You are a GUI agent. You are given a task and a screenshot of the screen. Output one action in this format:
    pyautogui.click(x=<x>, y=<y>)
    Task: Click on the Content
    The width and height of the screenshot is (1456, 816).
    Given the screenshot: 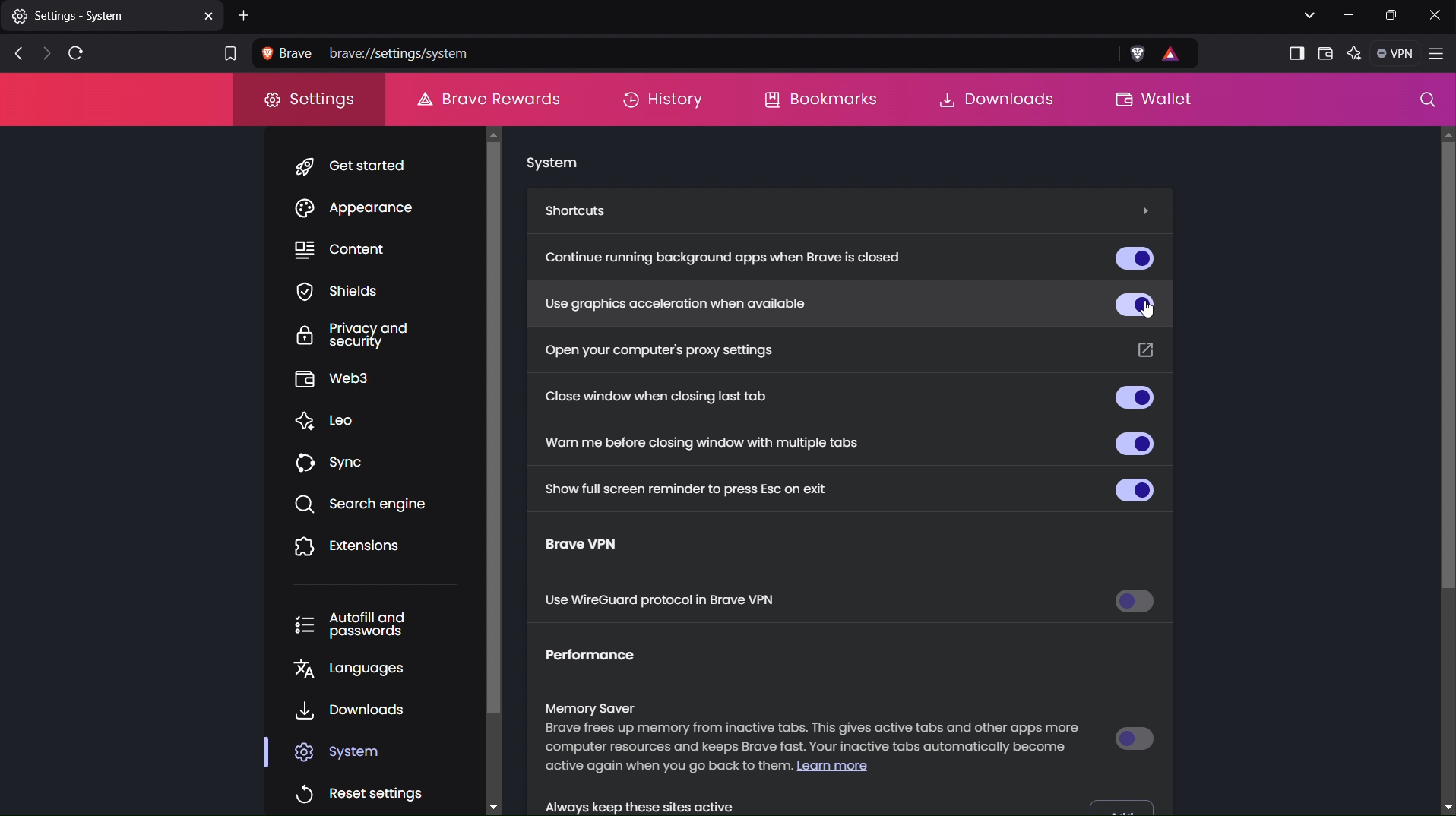 What is the action you would take?
    pyautogui.click(x=358, y=250)
    